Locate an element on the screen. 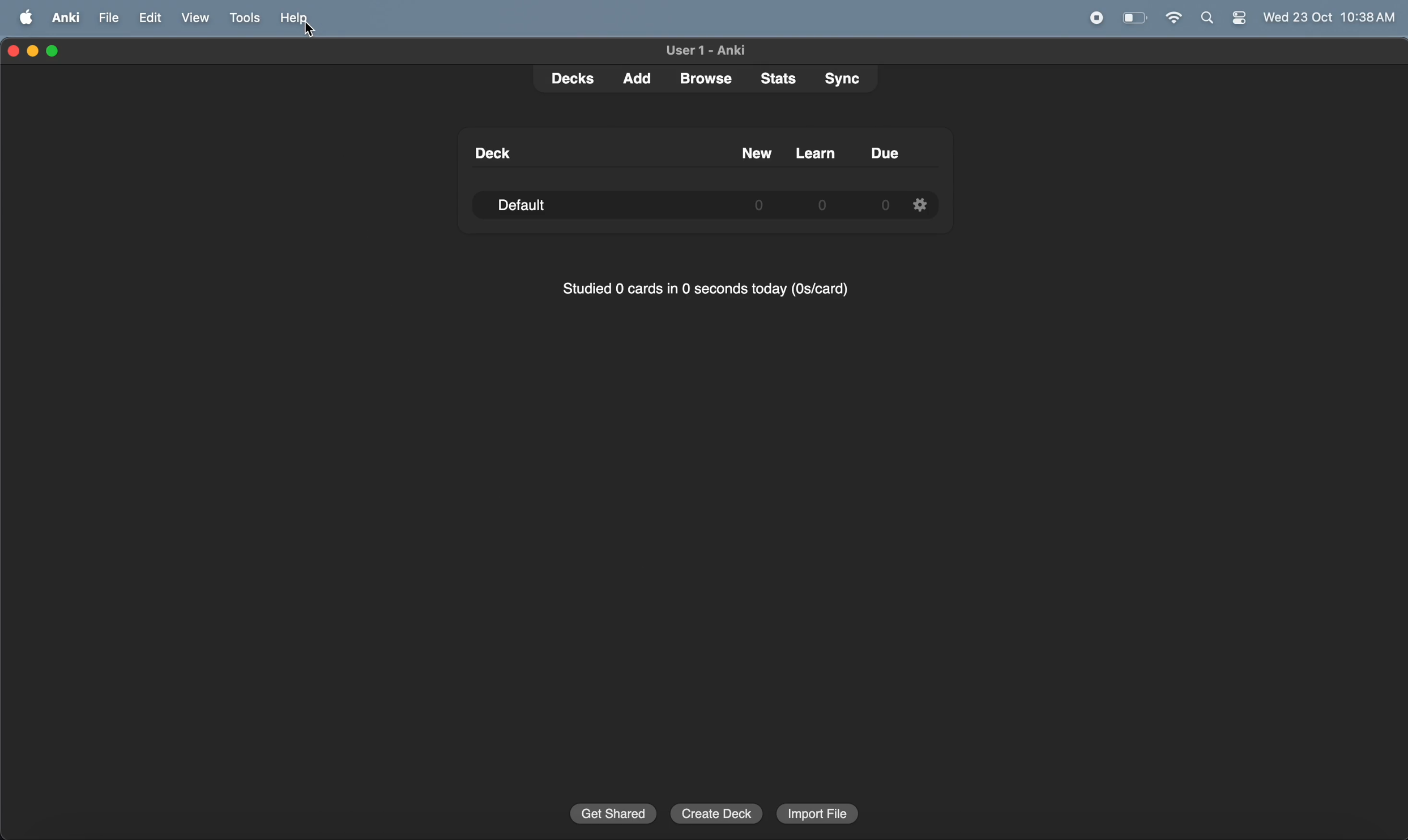 This screenshot has width=1408, height=840. learn is located at coordinates (814, 152).